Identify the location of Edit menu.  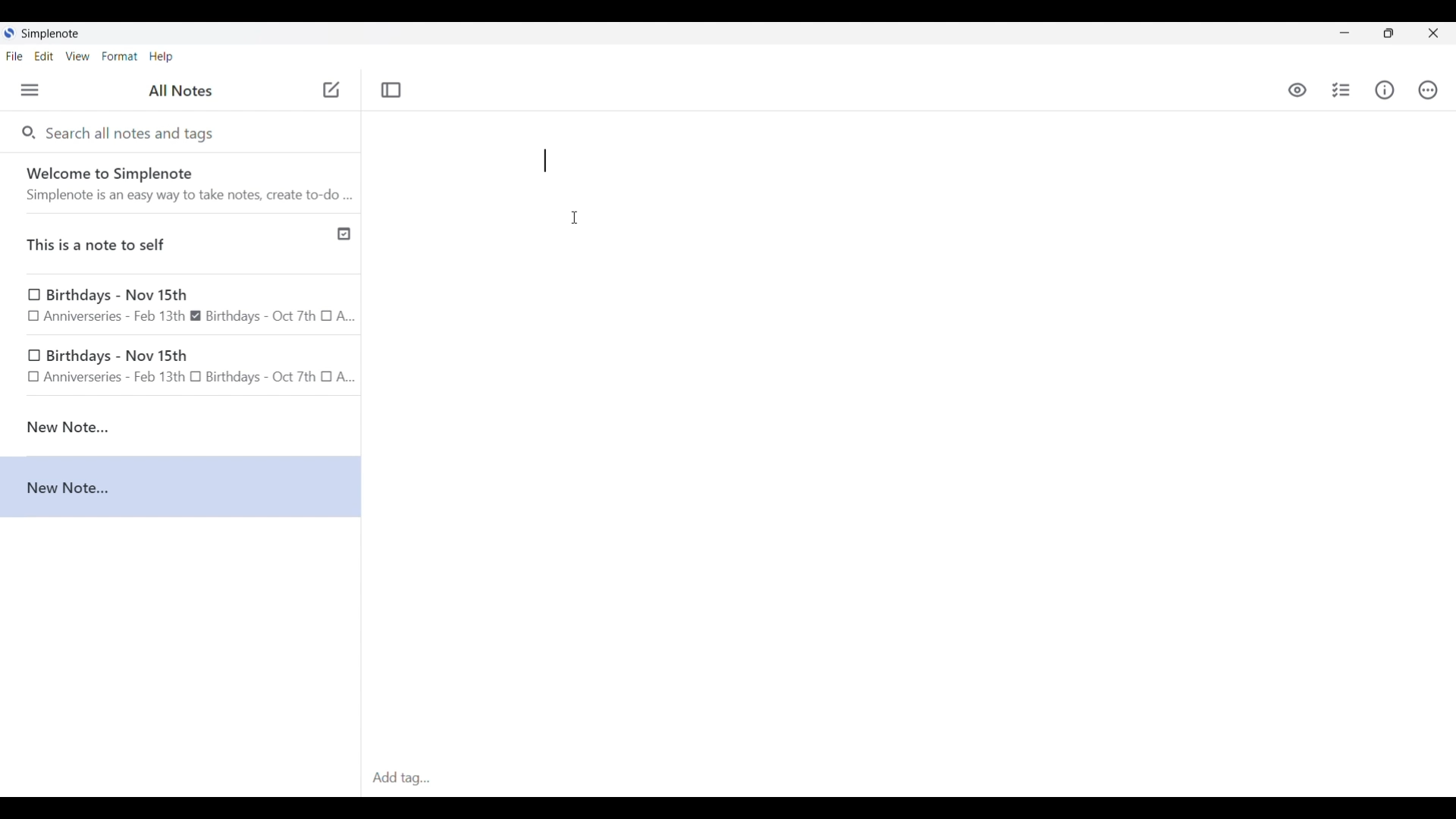
(45, 55).